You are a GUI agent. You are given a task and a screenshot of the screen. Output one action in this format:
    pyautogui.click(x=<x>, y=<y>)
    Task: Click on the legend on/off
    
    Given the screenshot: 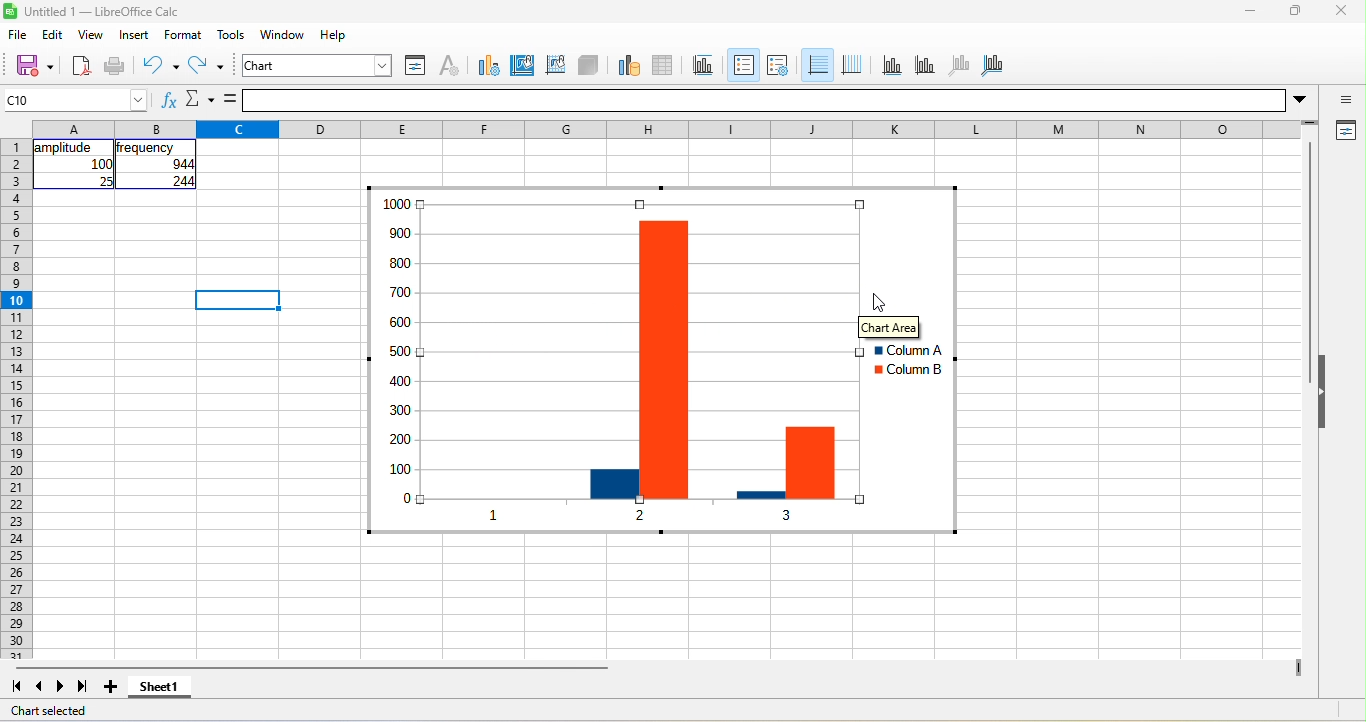 What is the action you would take?
    pyautogui.click(x=741, y=65)
    